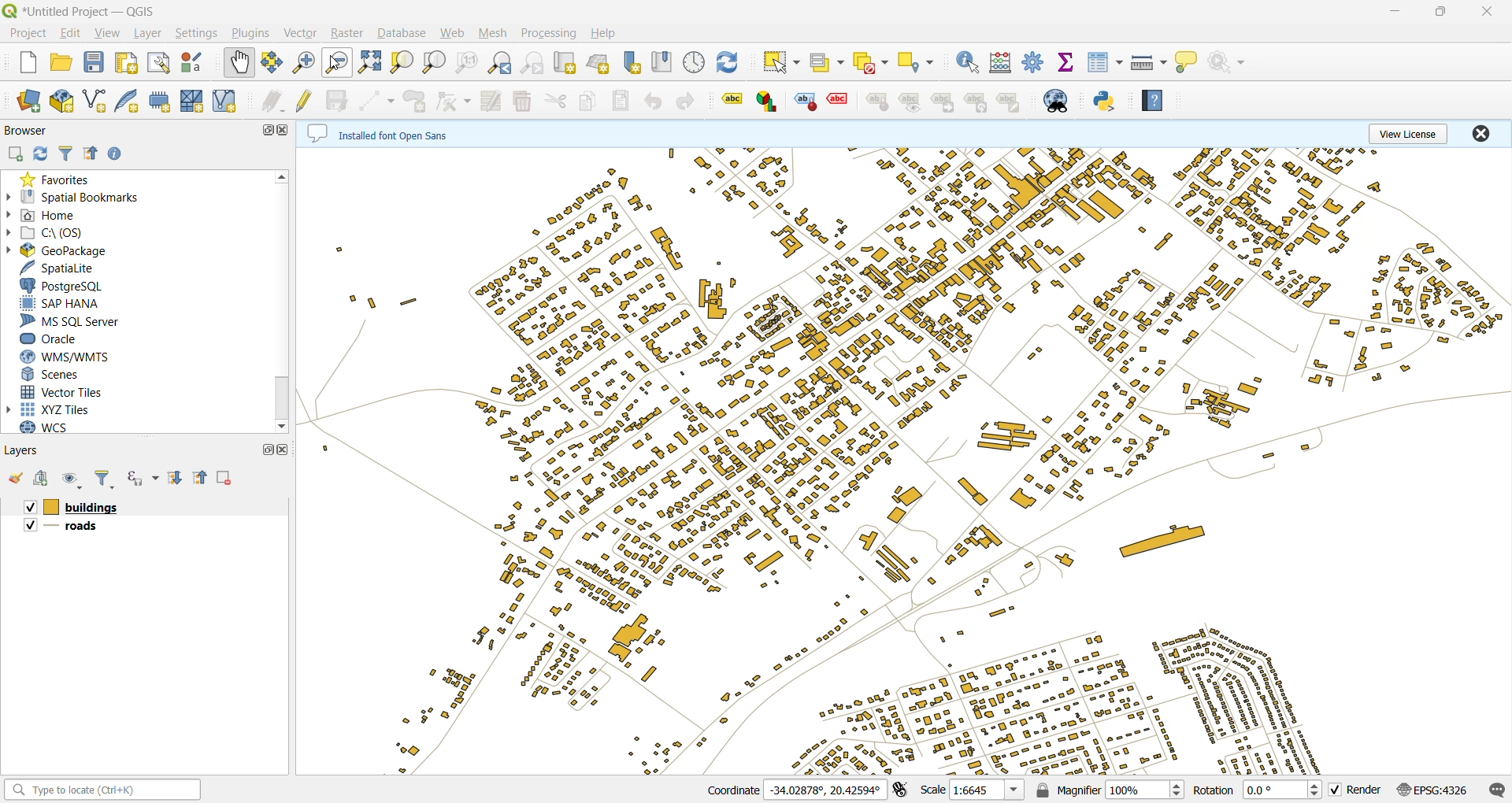 This screenshot has width=1512, height=803. What do you see at coordinates (1255, 791) in the screenshot?
I see `rotation` at bounding box center [1255, 791].